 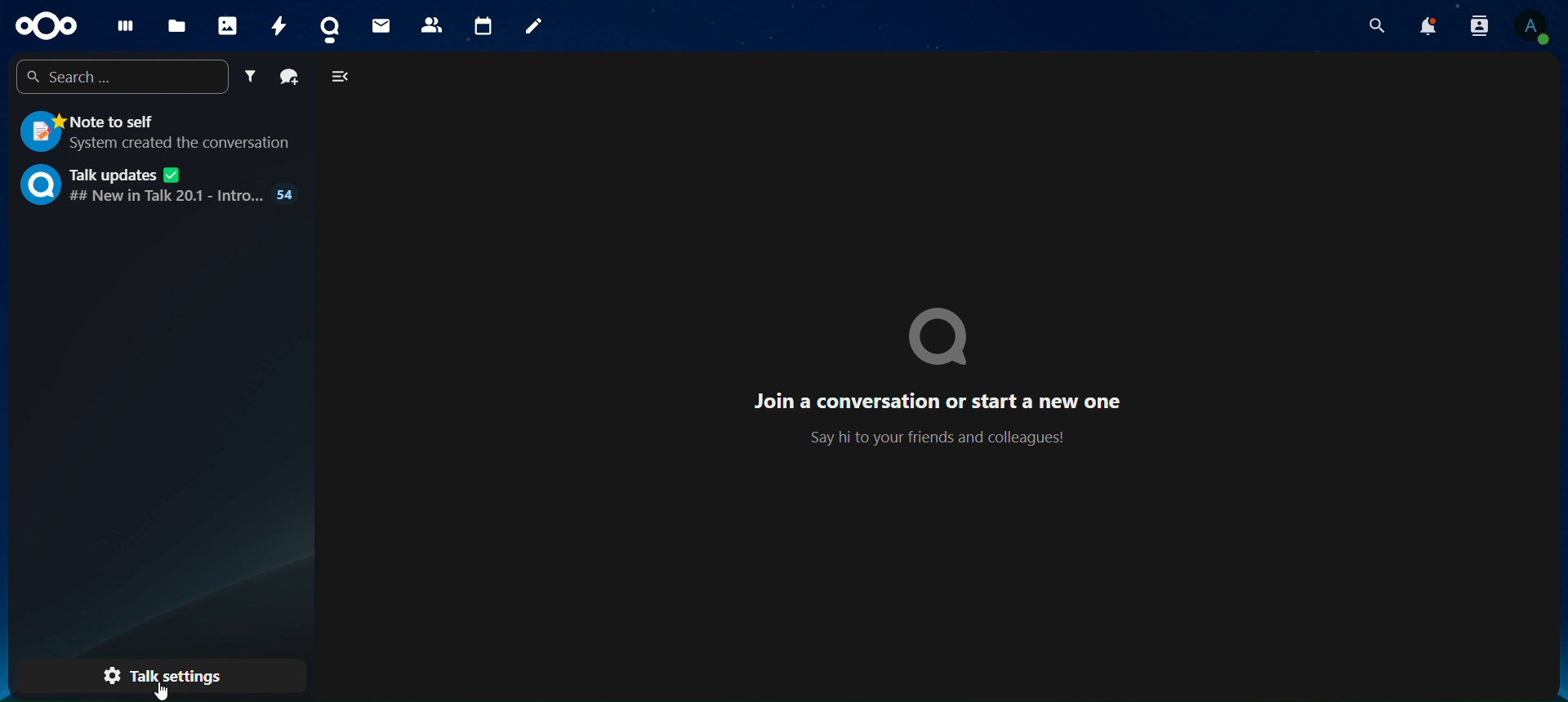 What do you see at coordinates (482, 23) in the screenshot?
I see `calendar` at bounding box center [482, 23].